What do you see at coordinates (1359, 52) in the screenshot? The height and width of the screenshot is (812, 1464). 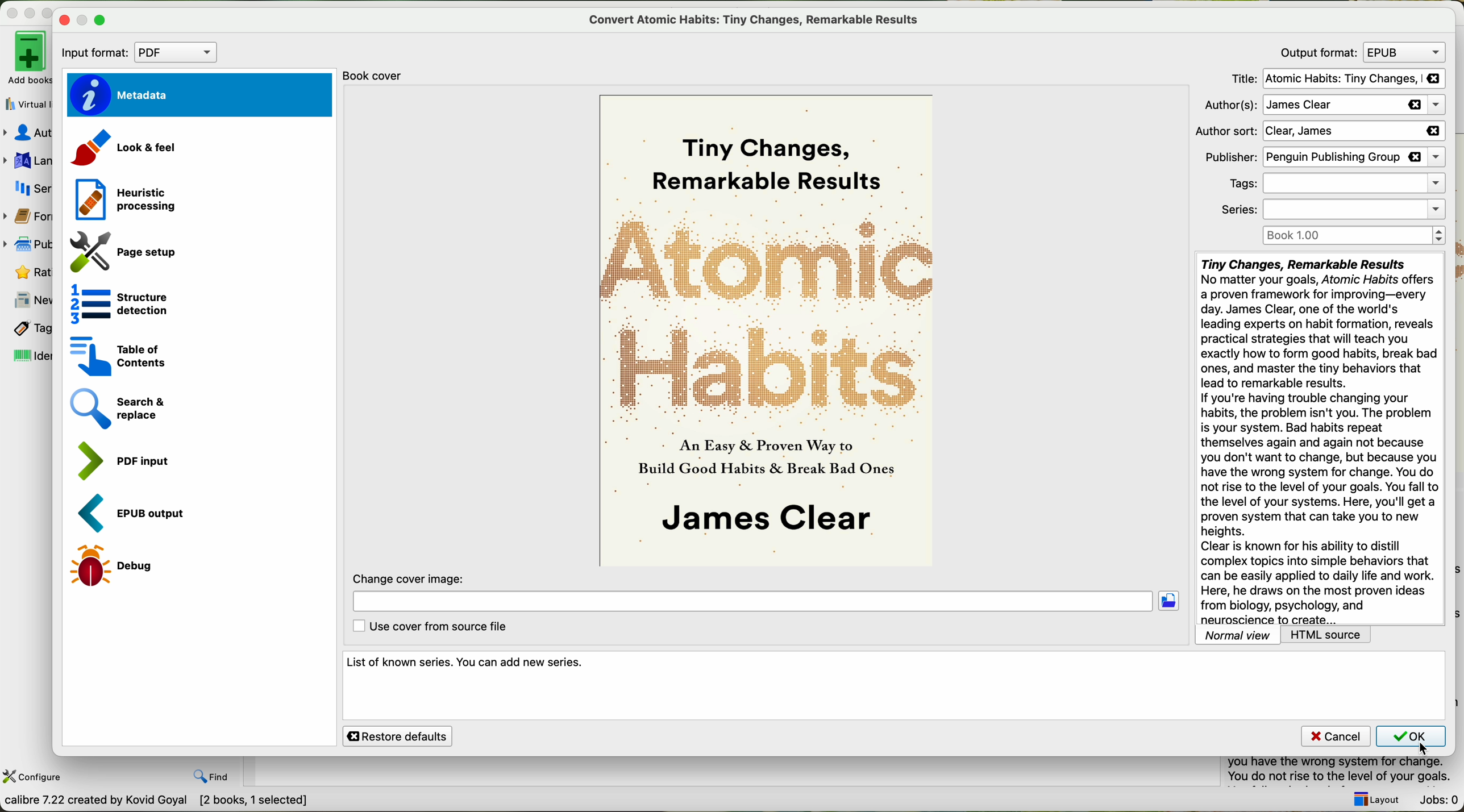 I see `output format: EPUB` at bounding box center [1359, 52].